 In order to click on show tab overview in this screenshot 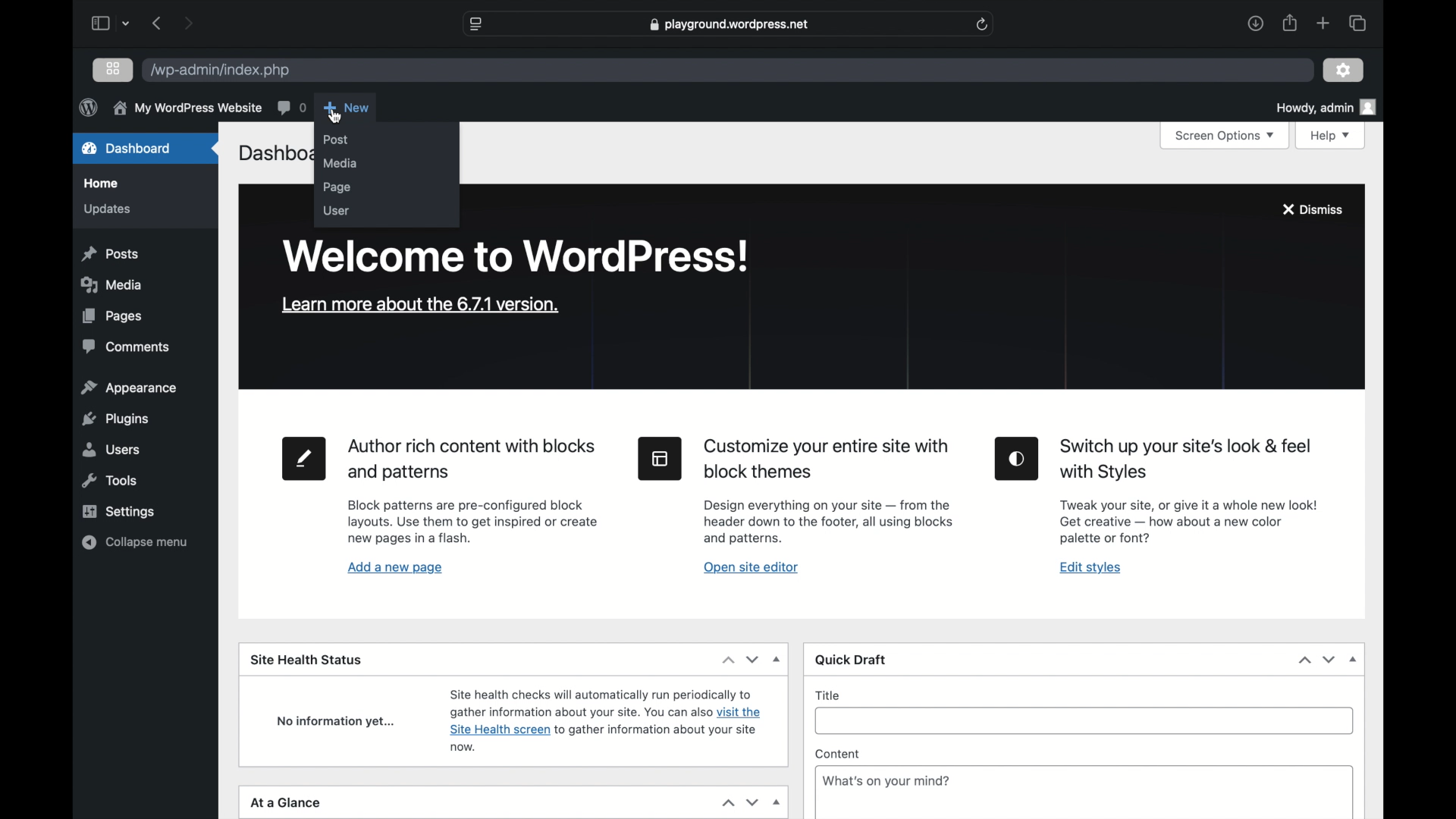, I will do `click(1357, 23)`.